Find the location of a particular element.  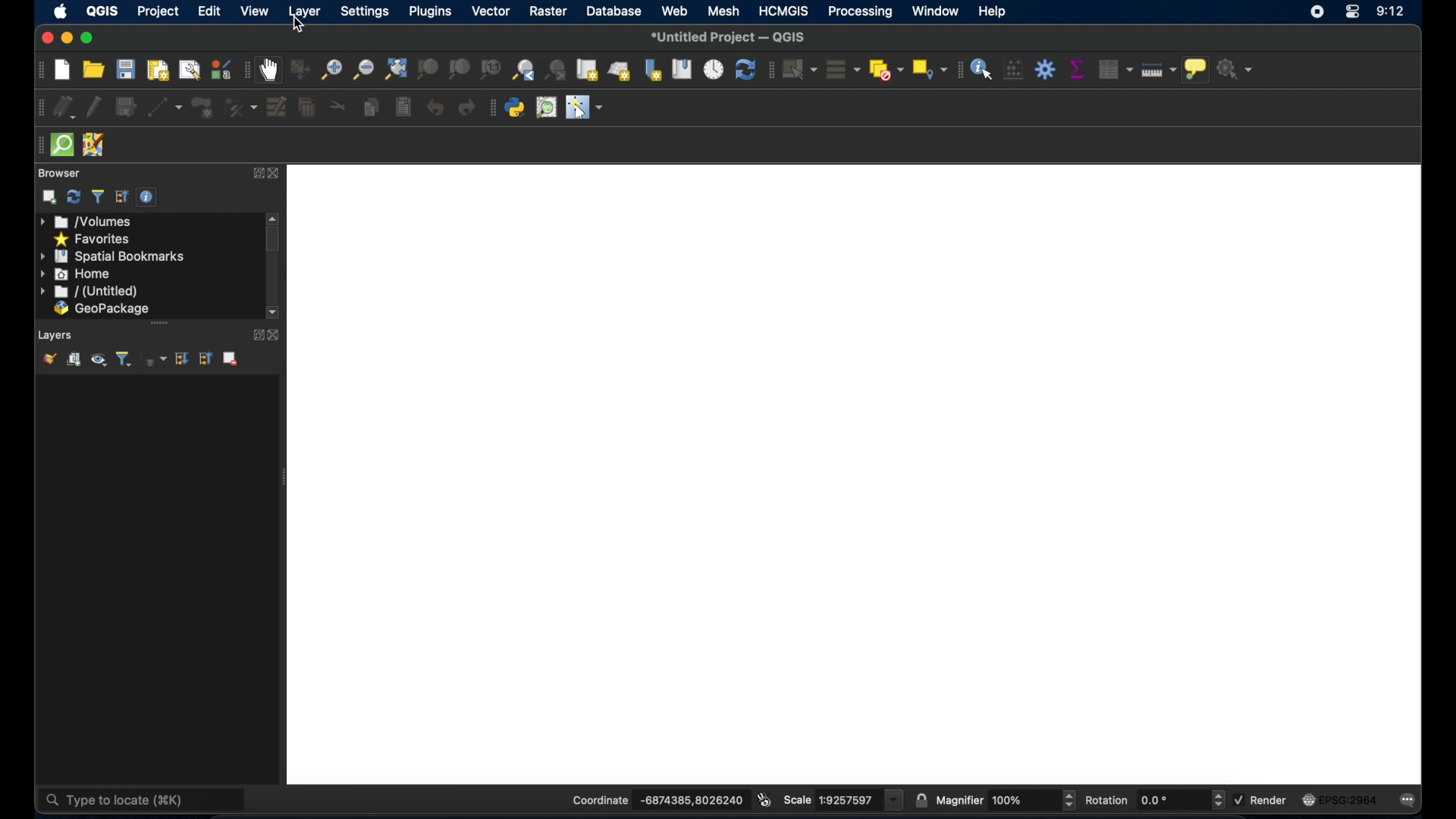

delete selected is located at coordinates (307, 108).